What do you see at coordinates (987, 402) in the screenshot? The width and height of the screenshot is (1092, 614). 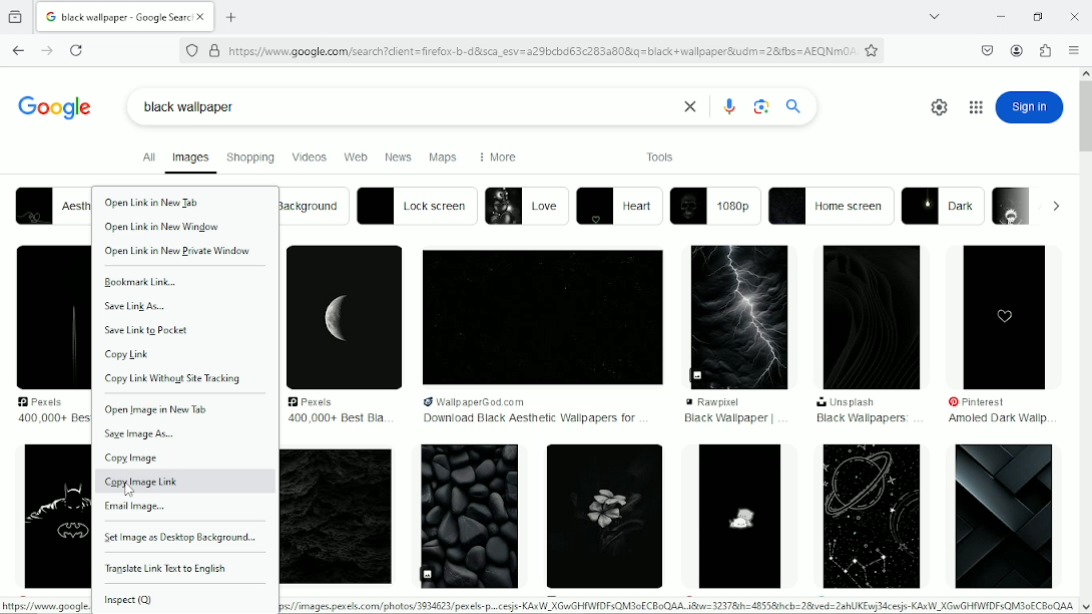 I see `pinterest` at bounding box center [987, 402].